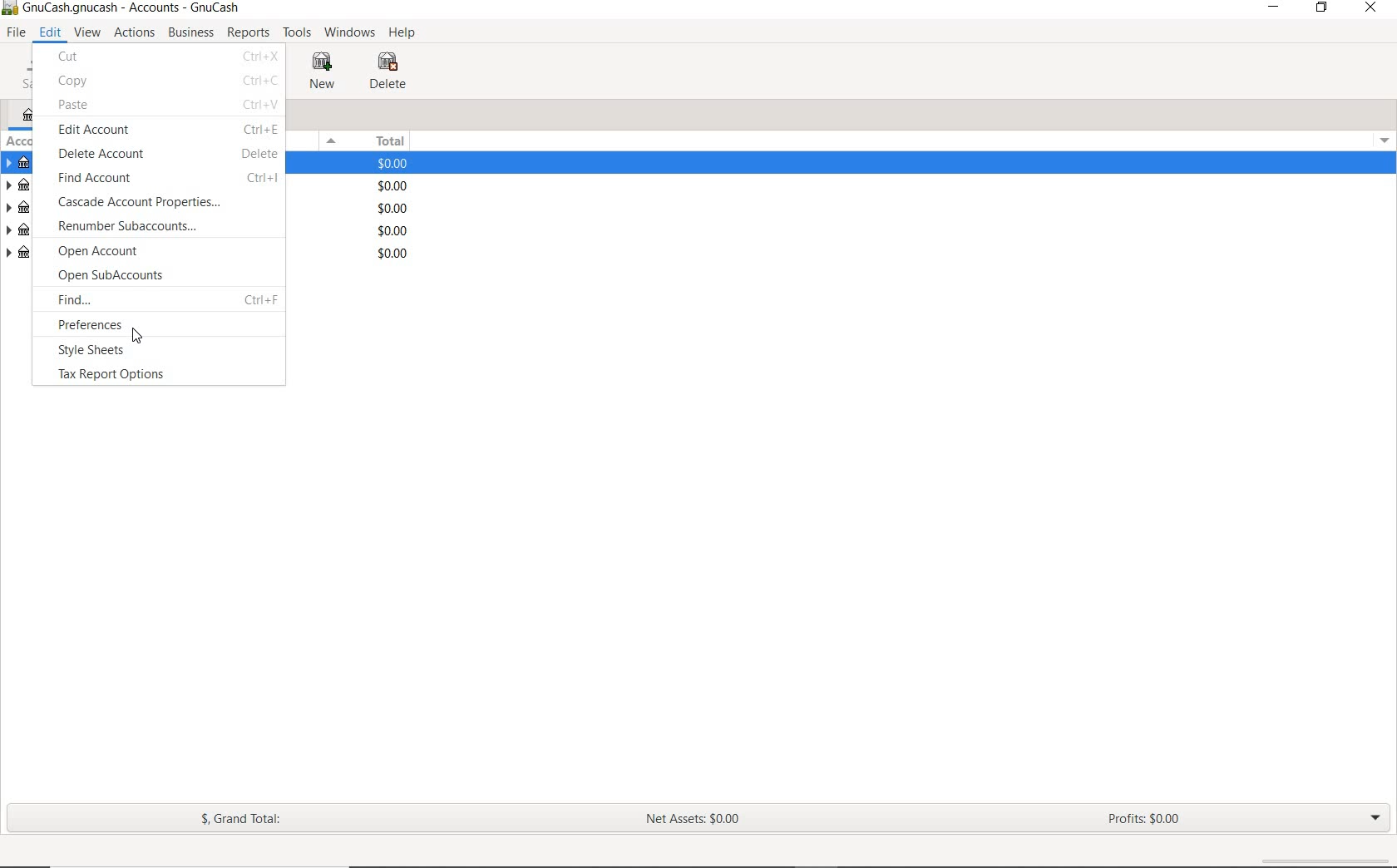 The width and height of the screenshot is (1397, 868). What do you see at coordinates (152, 225) in the screenshot?
I see `RENUMBER SUBACCOUNTS` at bounding box center [152, 225].